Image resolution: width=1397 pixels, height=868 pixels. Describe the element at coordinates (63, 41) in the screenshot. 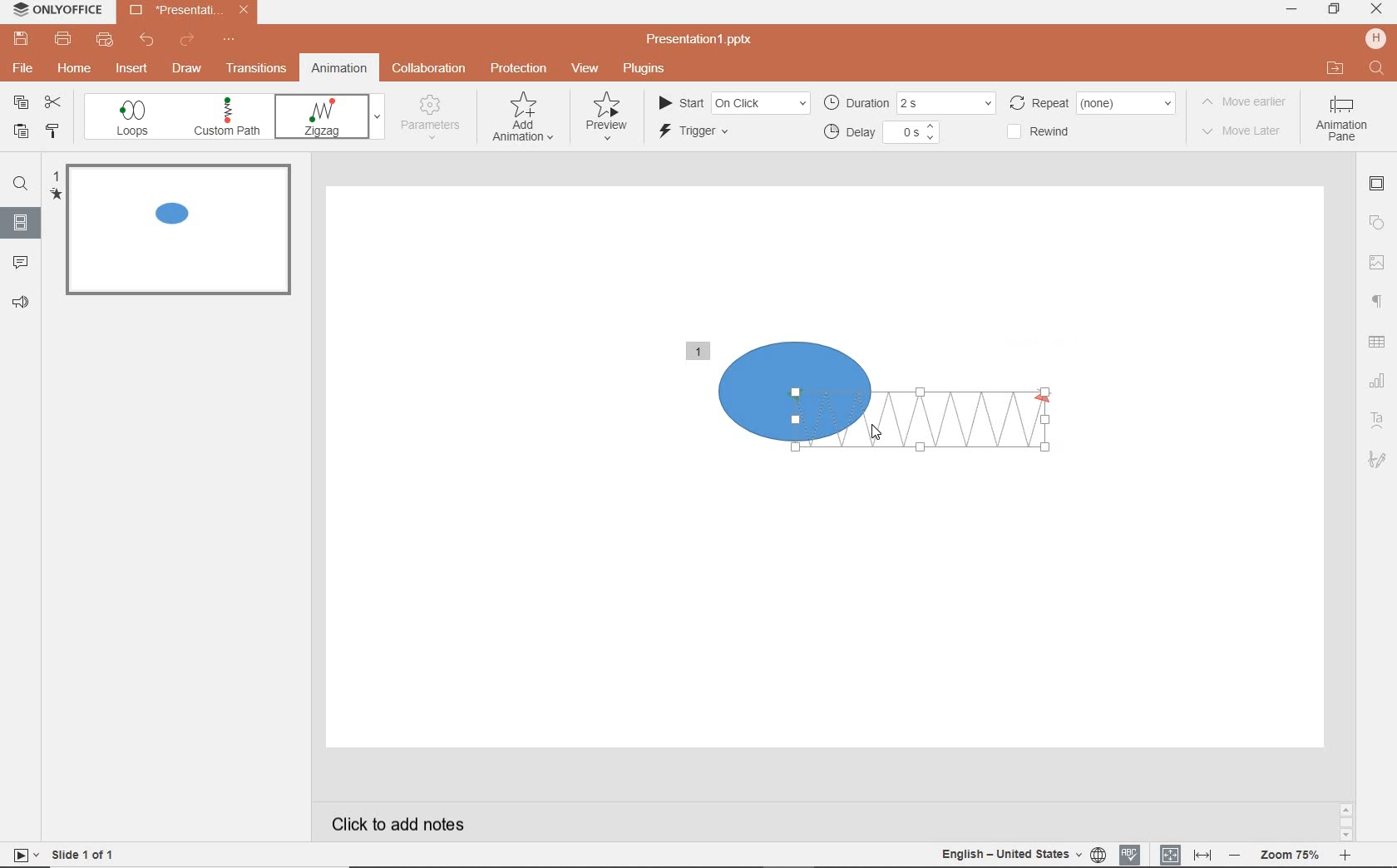

I see `print` at that location.